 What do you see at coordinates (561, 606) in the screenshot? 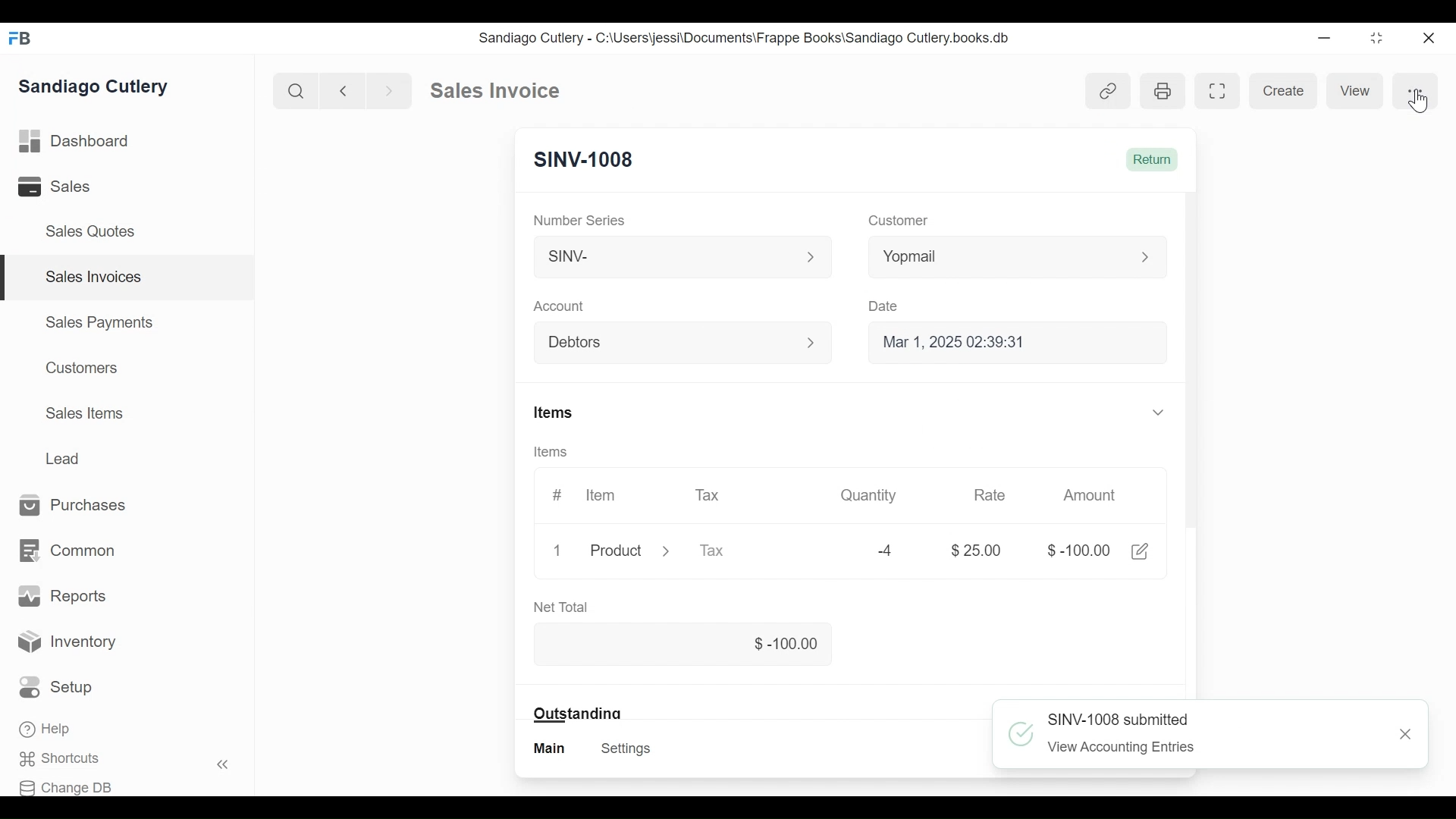
I see `Net Total` at bounding box center [561, 606].